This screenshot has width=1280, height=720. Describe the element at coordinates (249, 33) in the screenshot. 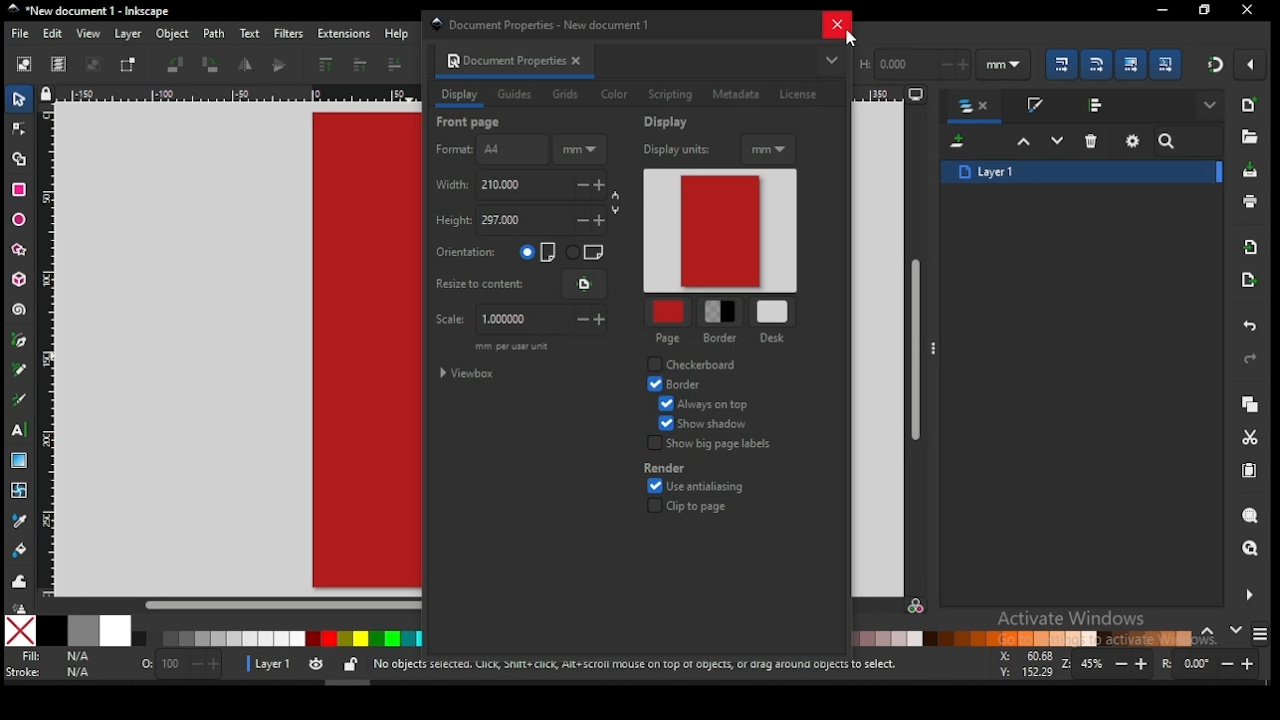

I see `text` at that location.